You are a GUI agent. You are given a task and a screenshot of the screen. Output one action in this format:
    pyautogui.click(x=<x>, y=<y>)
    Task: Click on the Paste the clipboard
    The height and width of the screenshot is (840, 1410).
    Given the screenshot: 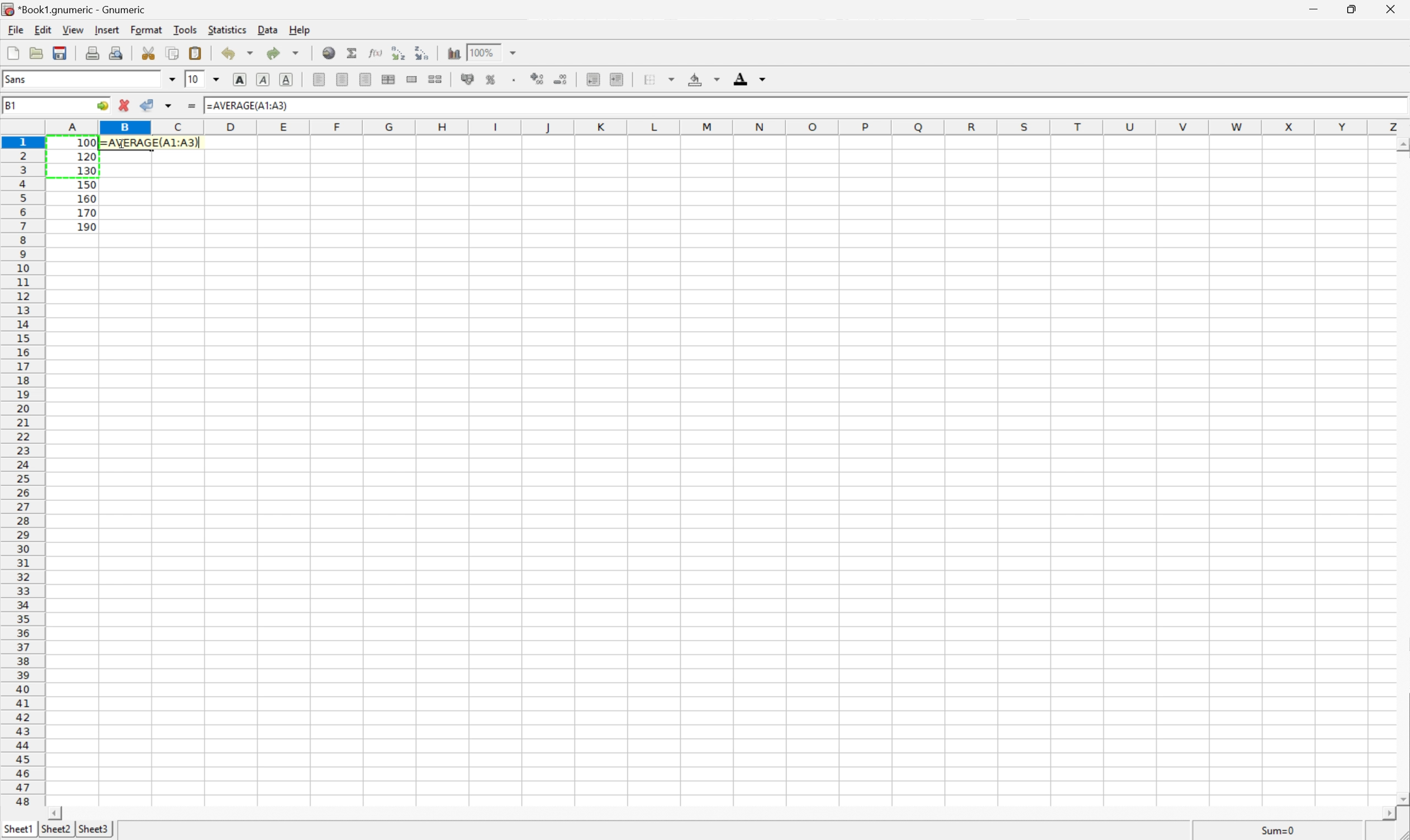 What is the action you would take?
    pyautogui.click(x=198, y=52)
    